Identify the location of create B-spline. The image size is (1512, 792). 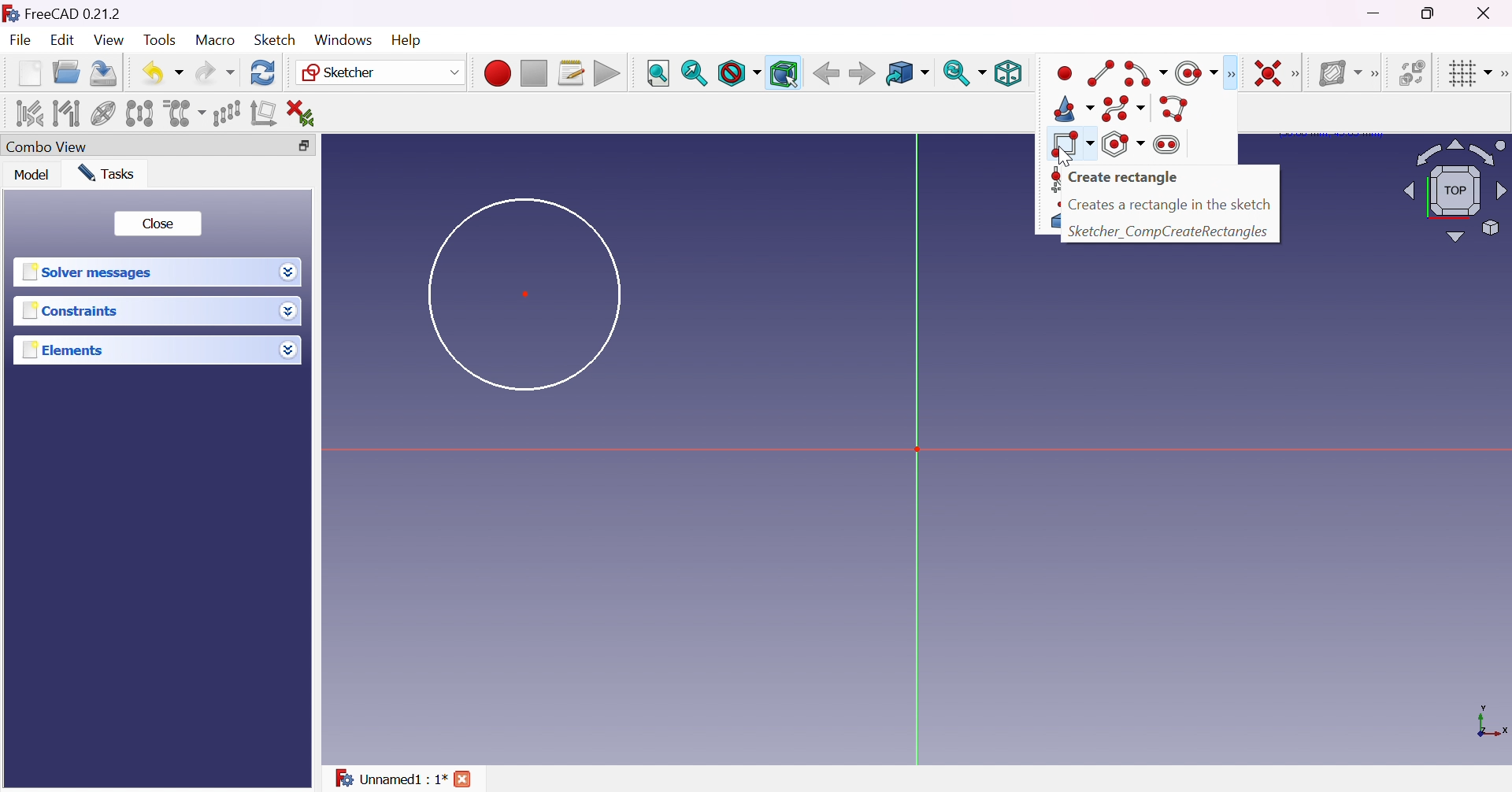
(1126, 110).